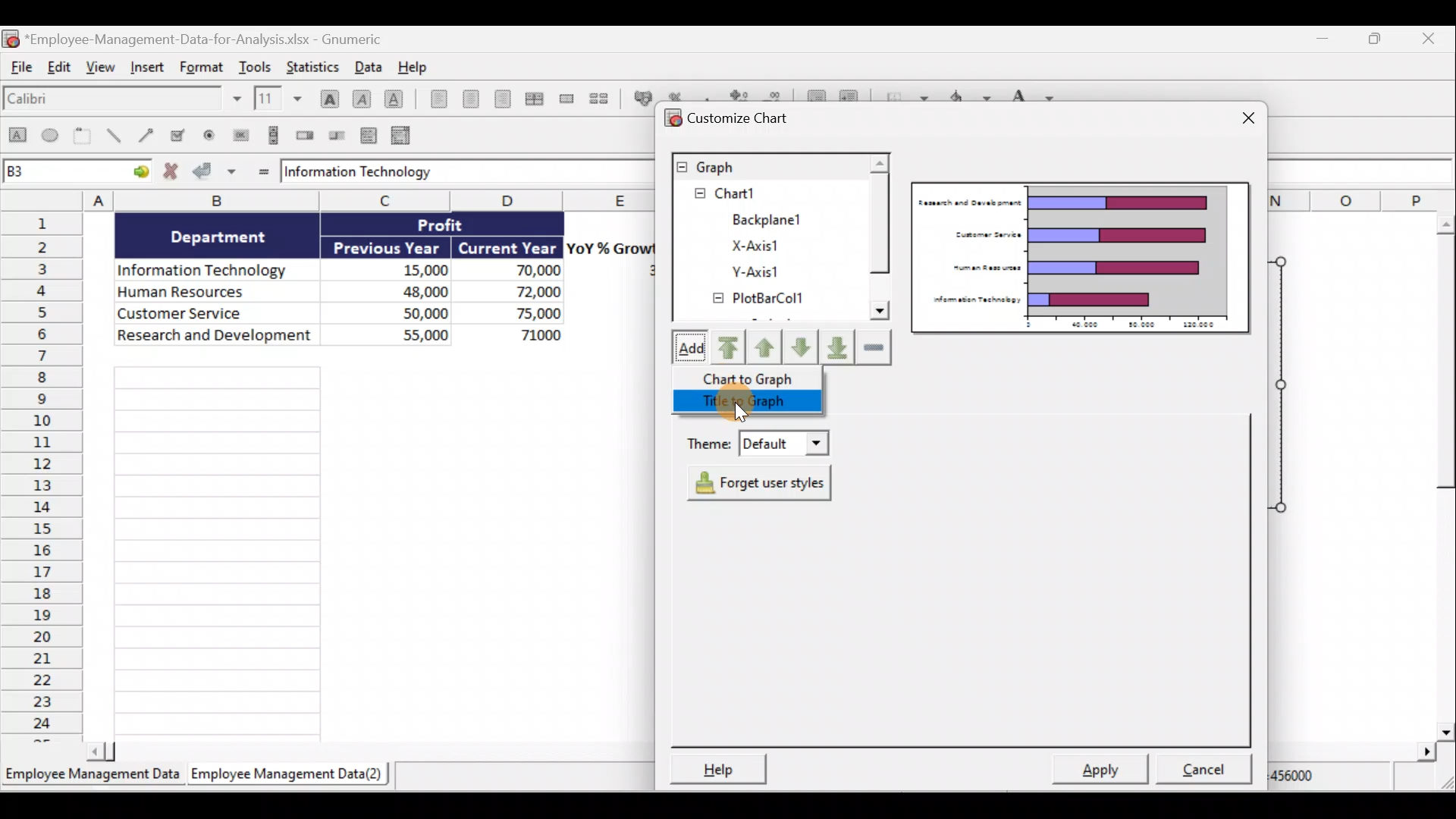 This screenshot has height=819, width=1456. I want to click on Cell name, so click(77, 168).